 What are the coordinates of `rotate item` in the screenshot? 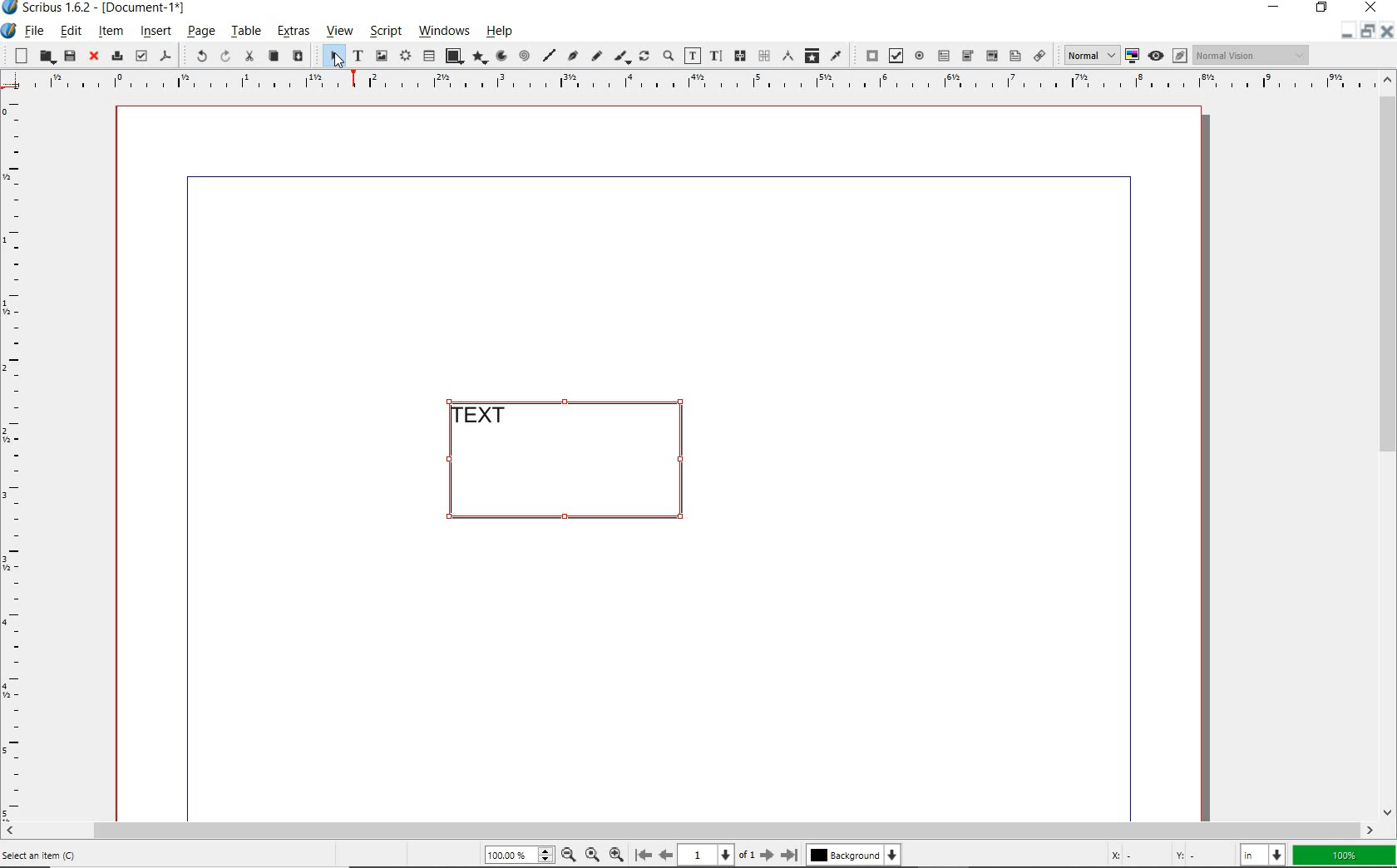 It's located at (644, 57).